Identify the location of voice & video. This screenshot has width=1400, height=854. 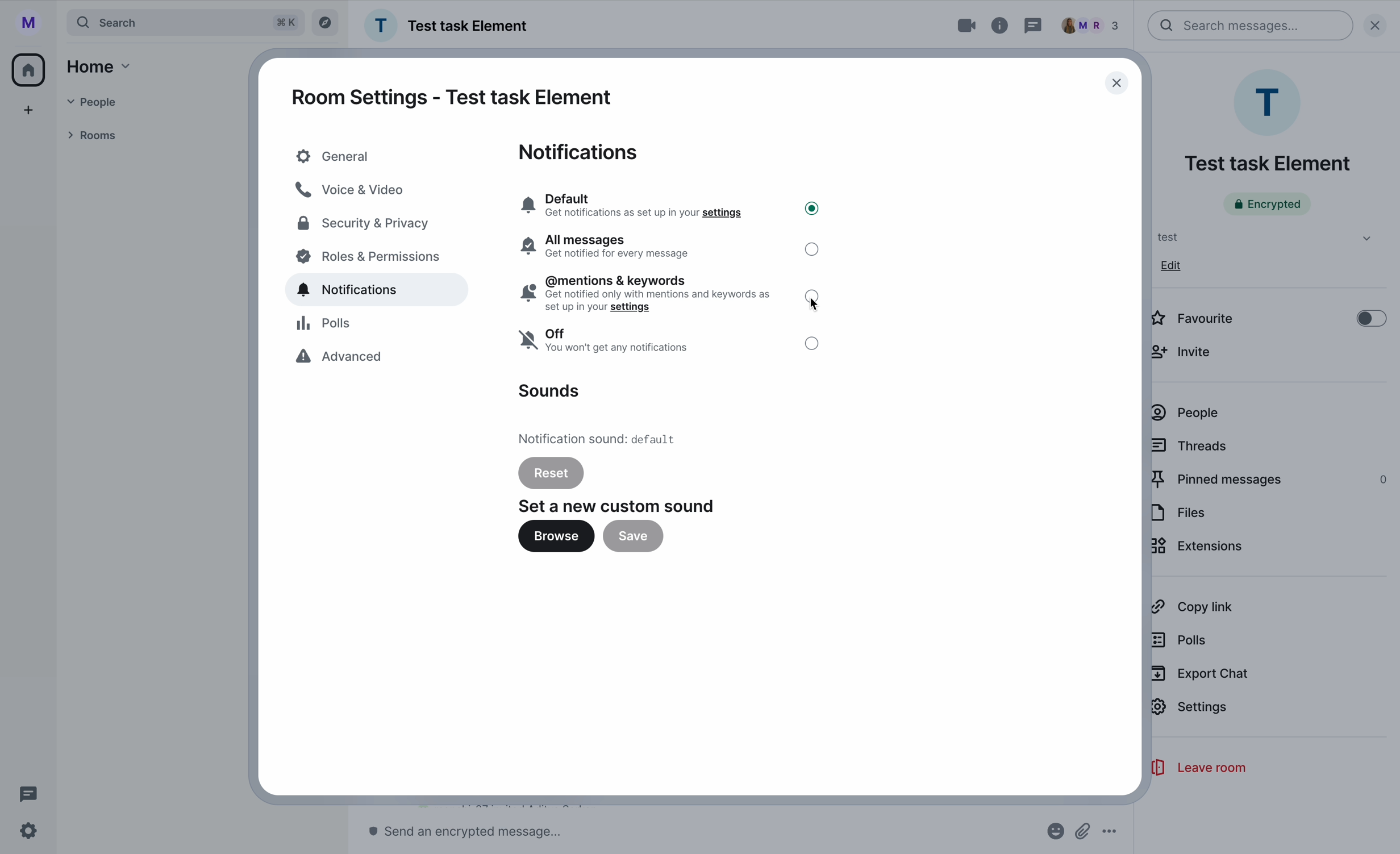
(352, 189).